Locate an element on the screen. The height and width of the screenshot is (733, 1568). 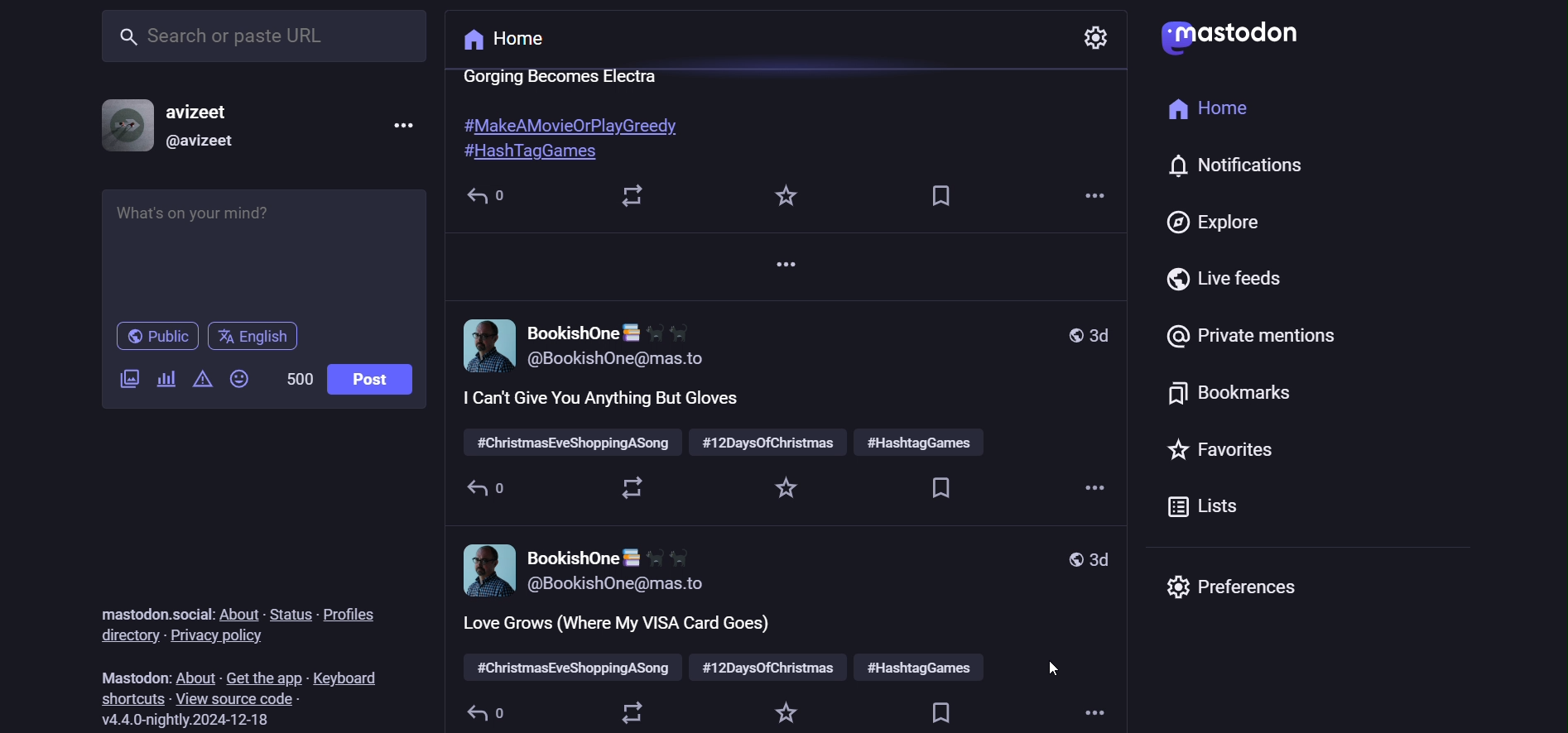
#12DaysOfChristmas is located at coordinates (769, 443).